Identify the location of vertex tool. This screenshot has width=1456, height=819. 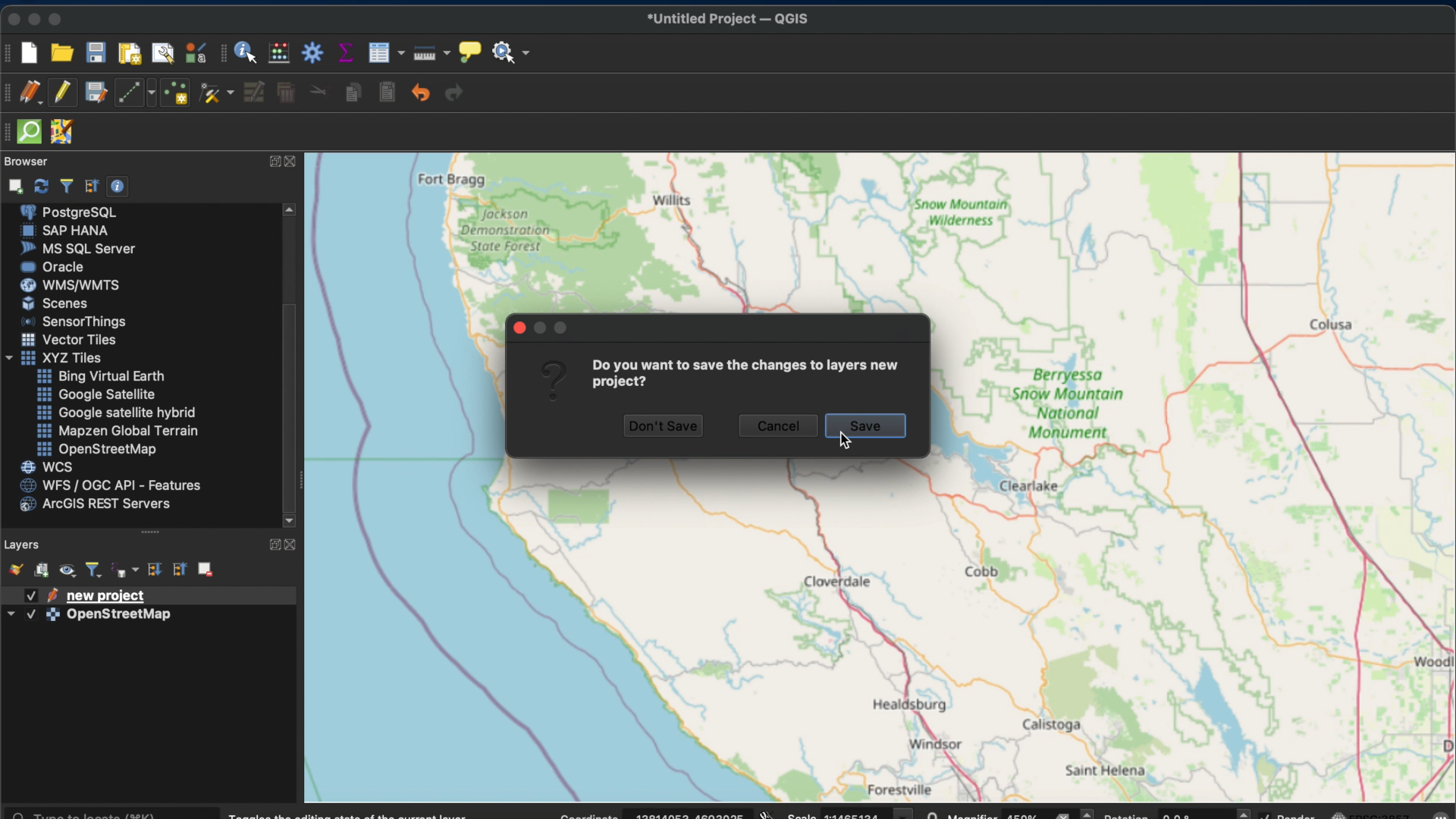
(215, 95).